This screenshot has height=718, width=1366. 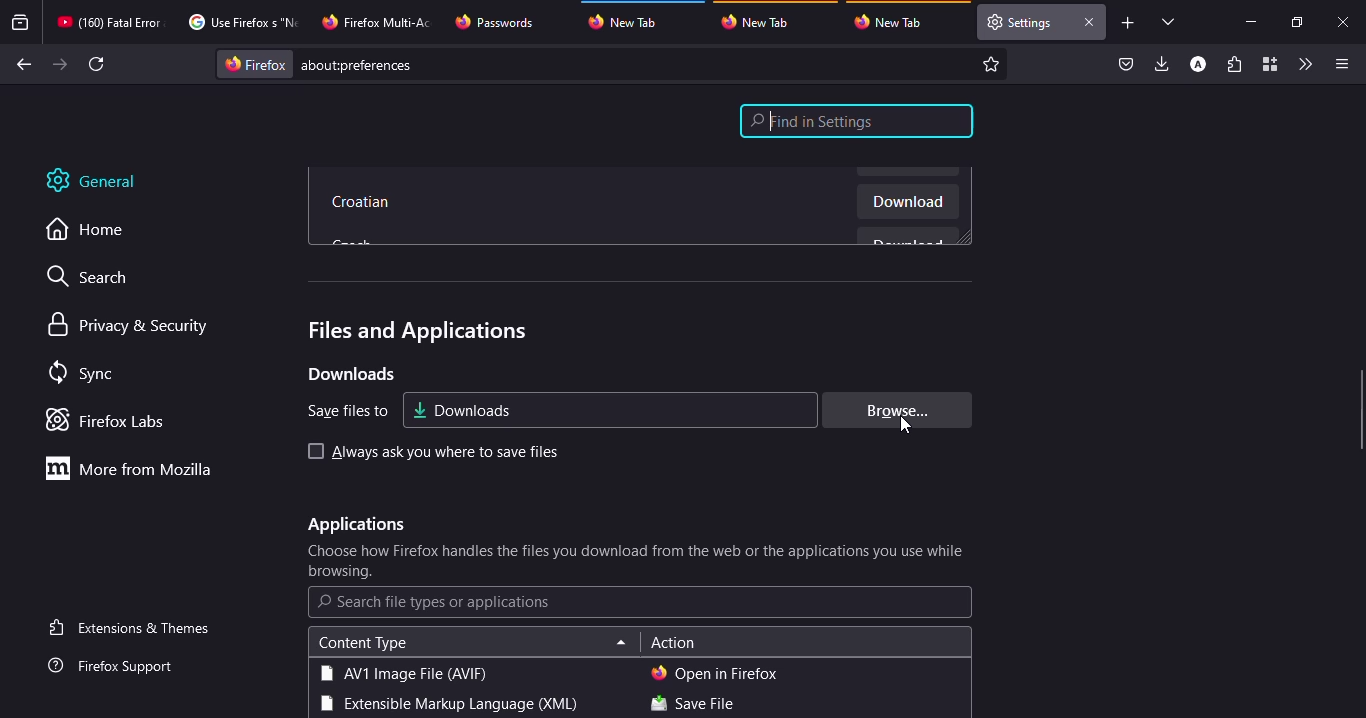 I want to click on sort, so click(x=621, y=644).